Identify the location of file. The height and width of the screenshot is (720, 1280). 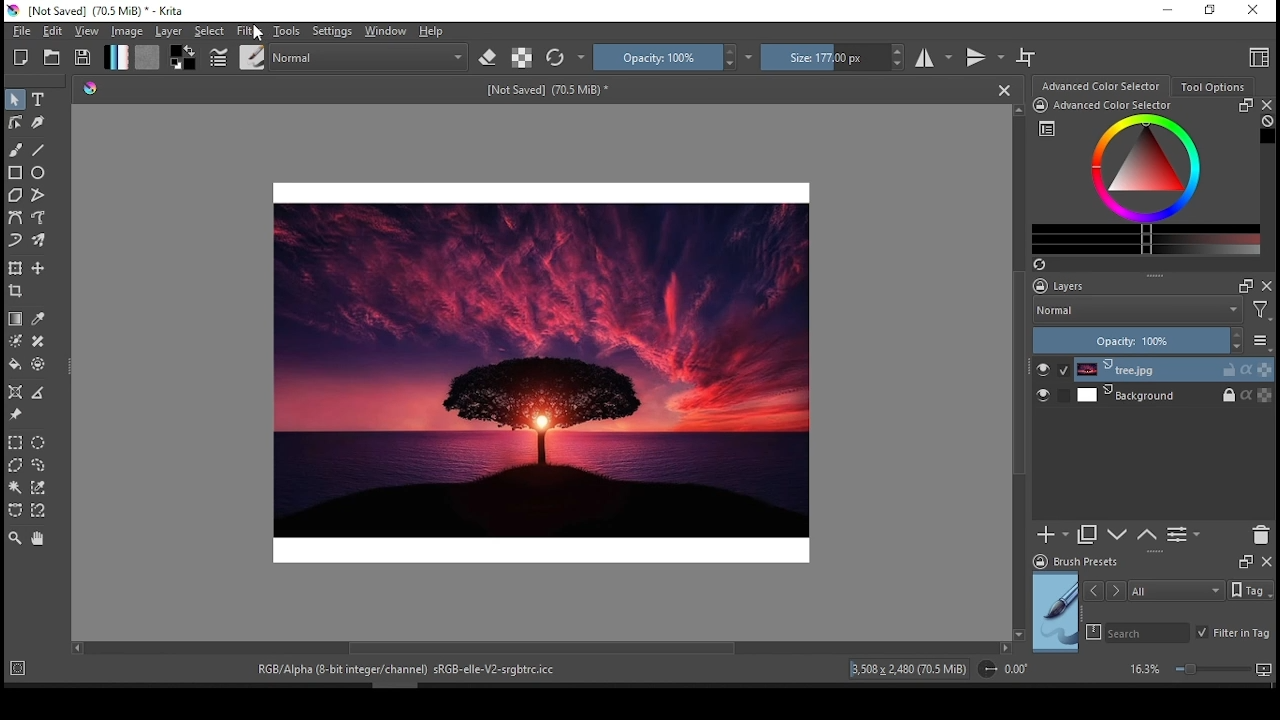
(20, 31).